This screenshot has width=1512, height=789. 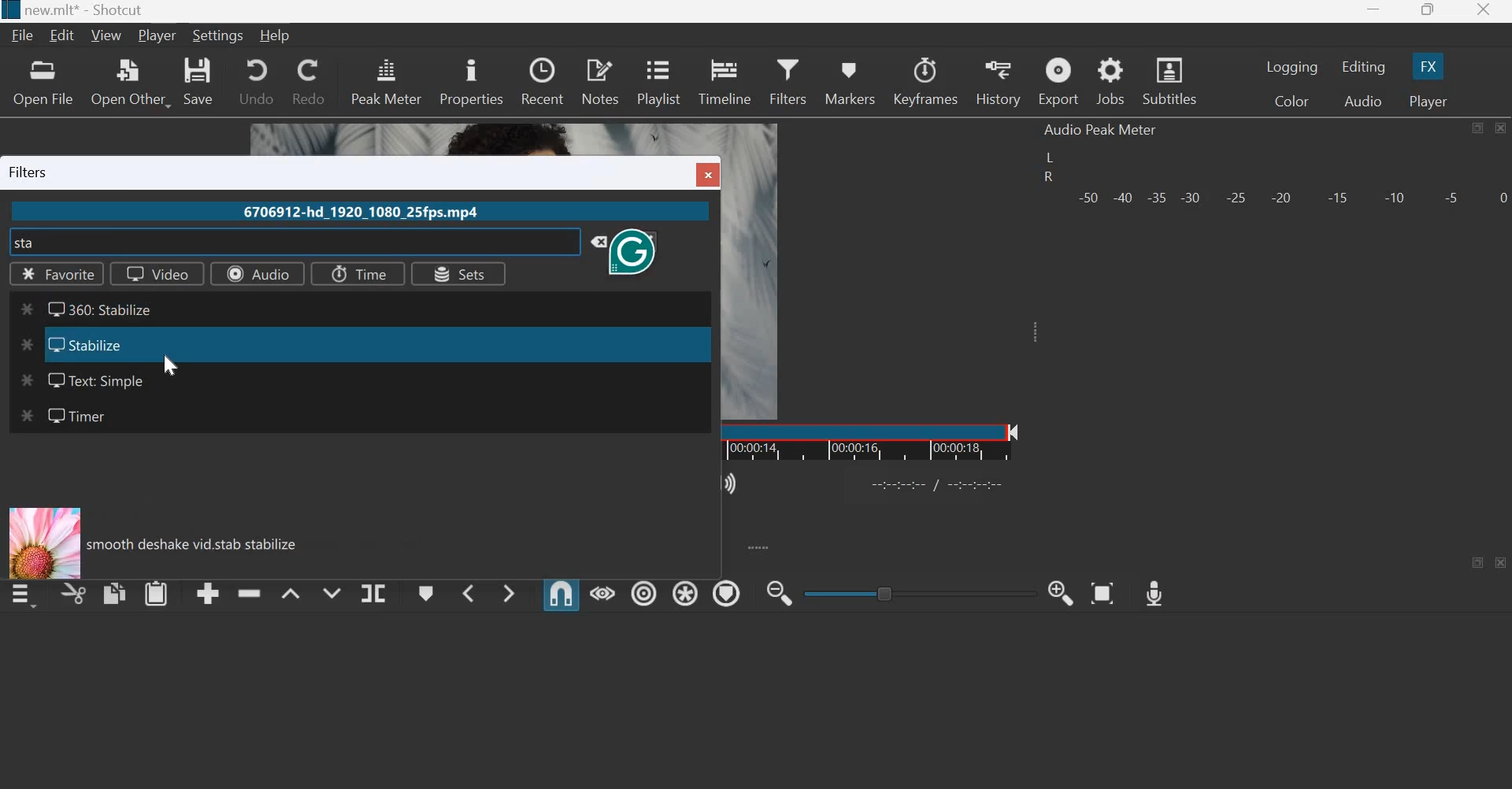 What do you see at coordinates (602, 592) in the screenshot?
I see `Scrub while dragging` at bounding box center [602, 592].